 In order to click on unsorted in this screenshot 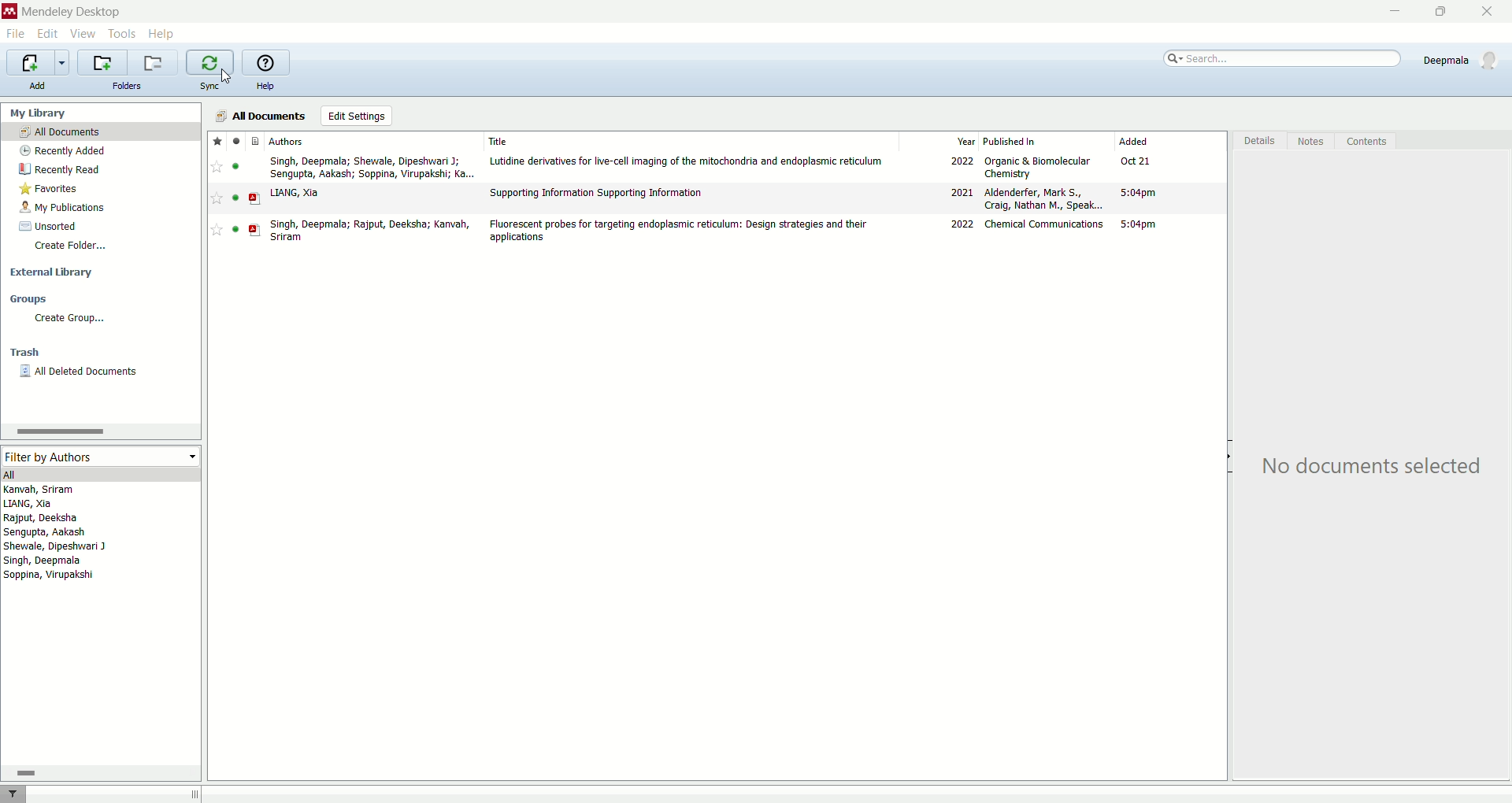, I will do `click(46, 228)`.